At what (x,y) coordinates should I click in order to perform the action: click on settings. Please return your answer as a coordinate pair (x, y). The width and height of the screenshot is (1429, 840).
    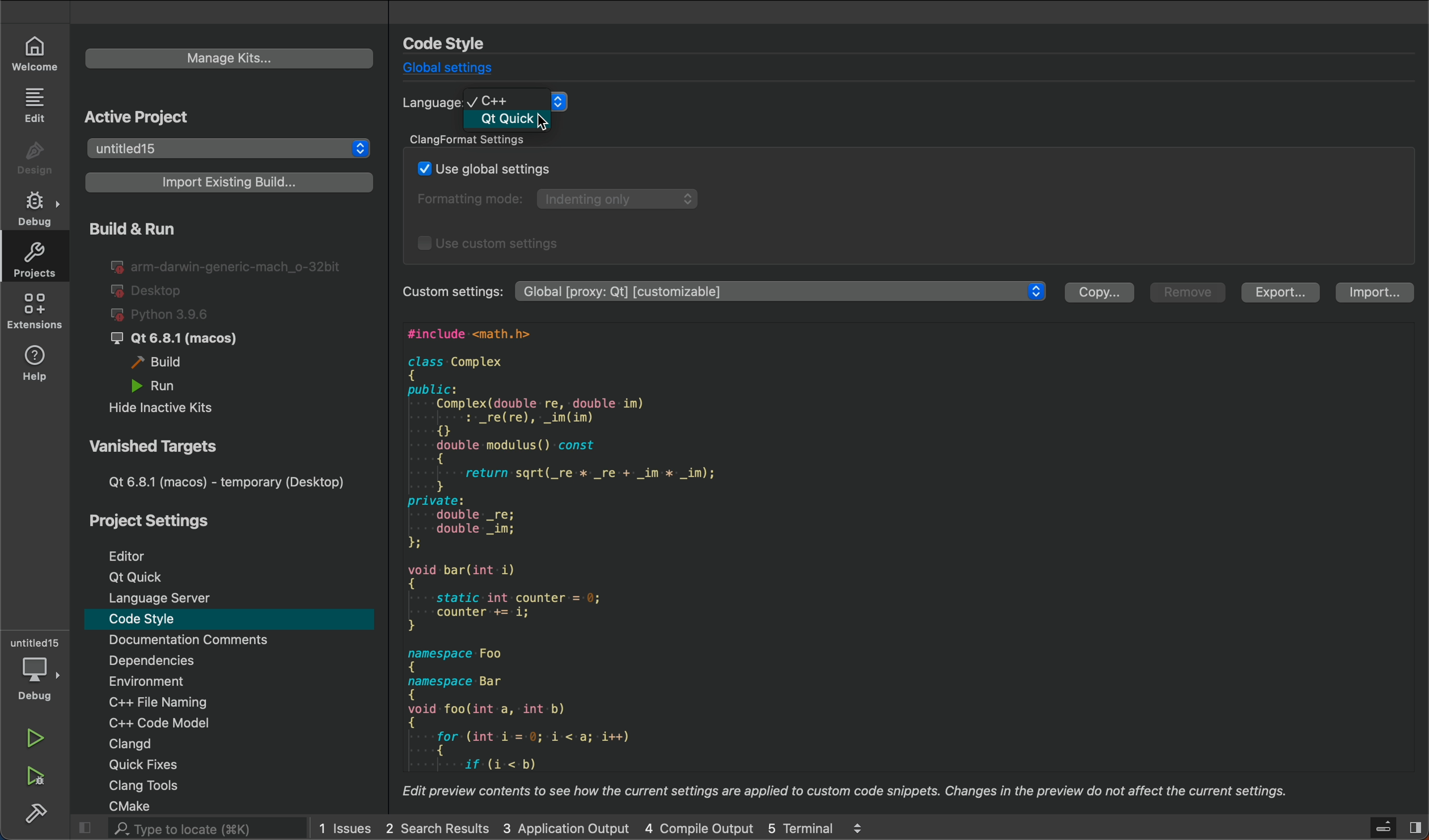
    Looking at the image, I should click on (784, 292).